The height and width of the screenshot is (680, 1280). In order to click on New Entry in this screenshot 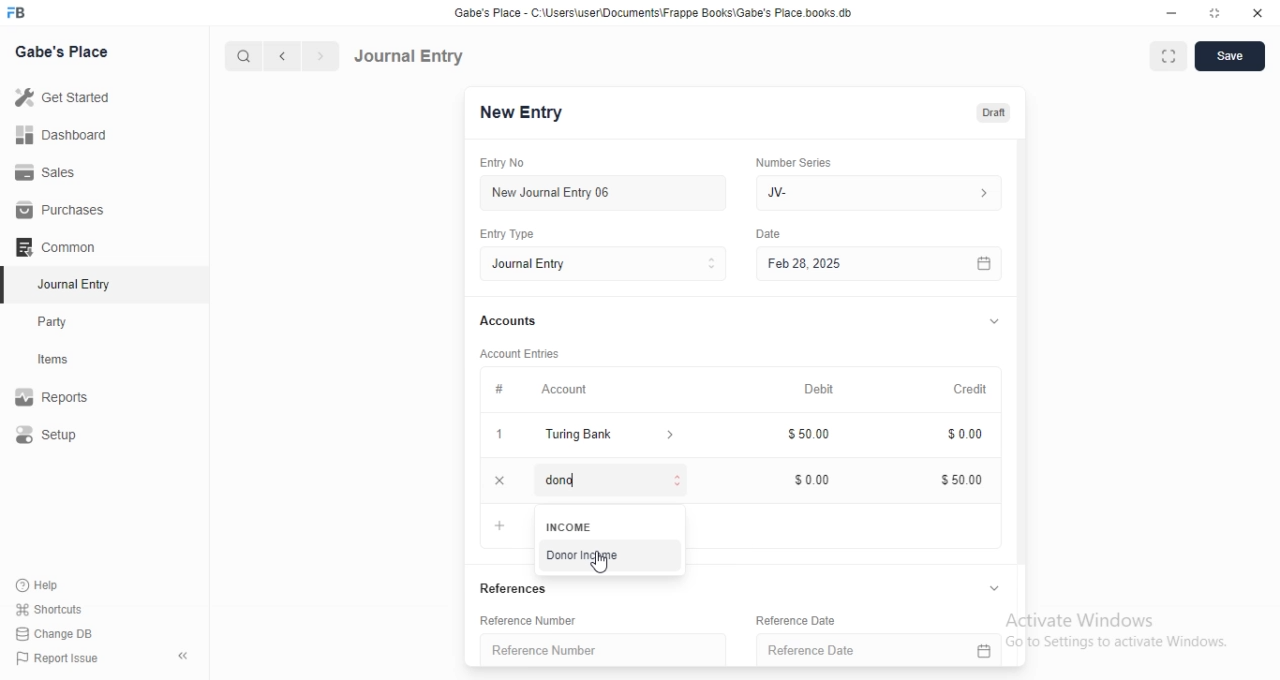, I will do `click(519, 113)`.